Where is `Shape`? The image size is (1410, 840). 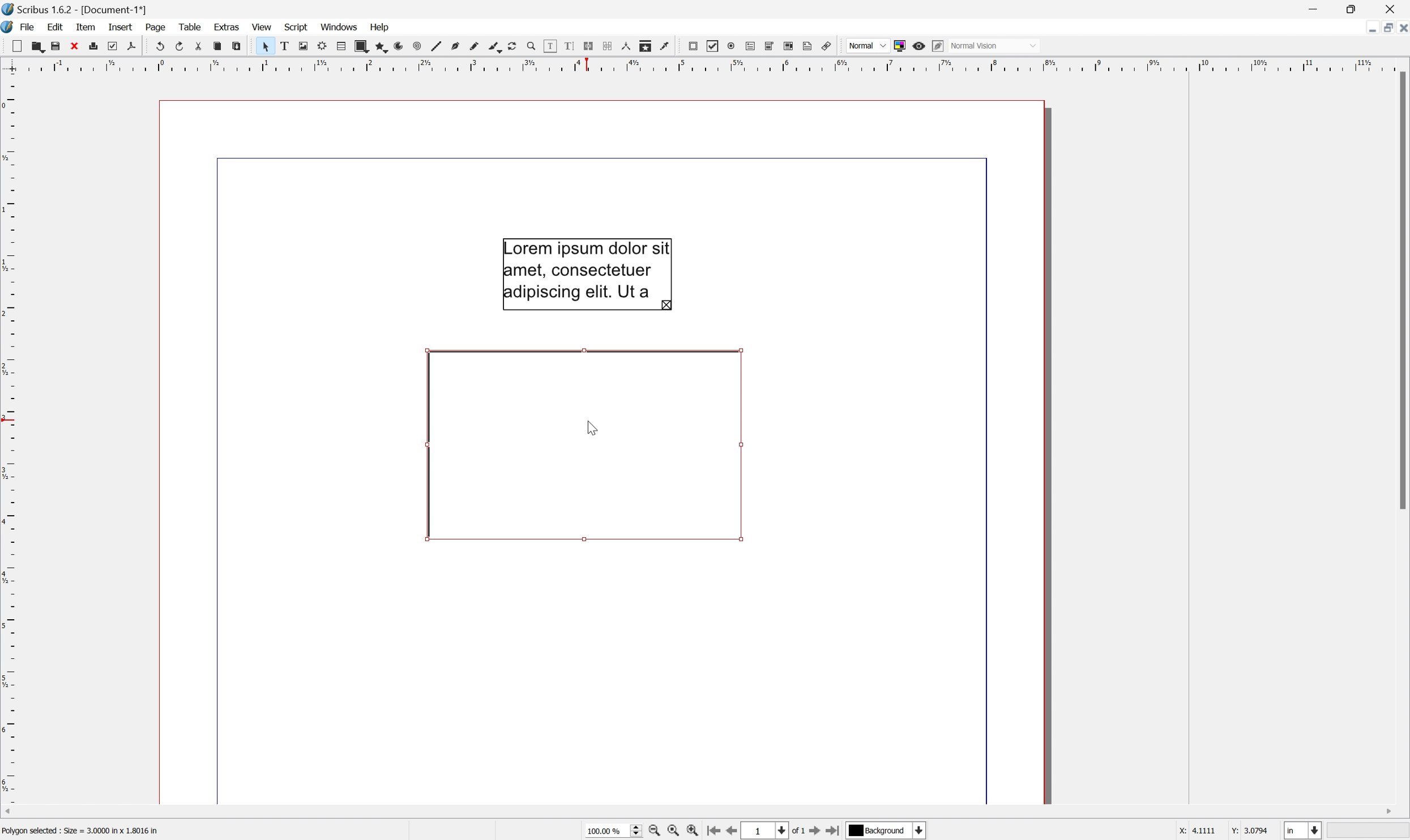
Shape is located at coordinates (361, 44).